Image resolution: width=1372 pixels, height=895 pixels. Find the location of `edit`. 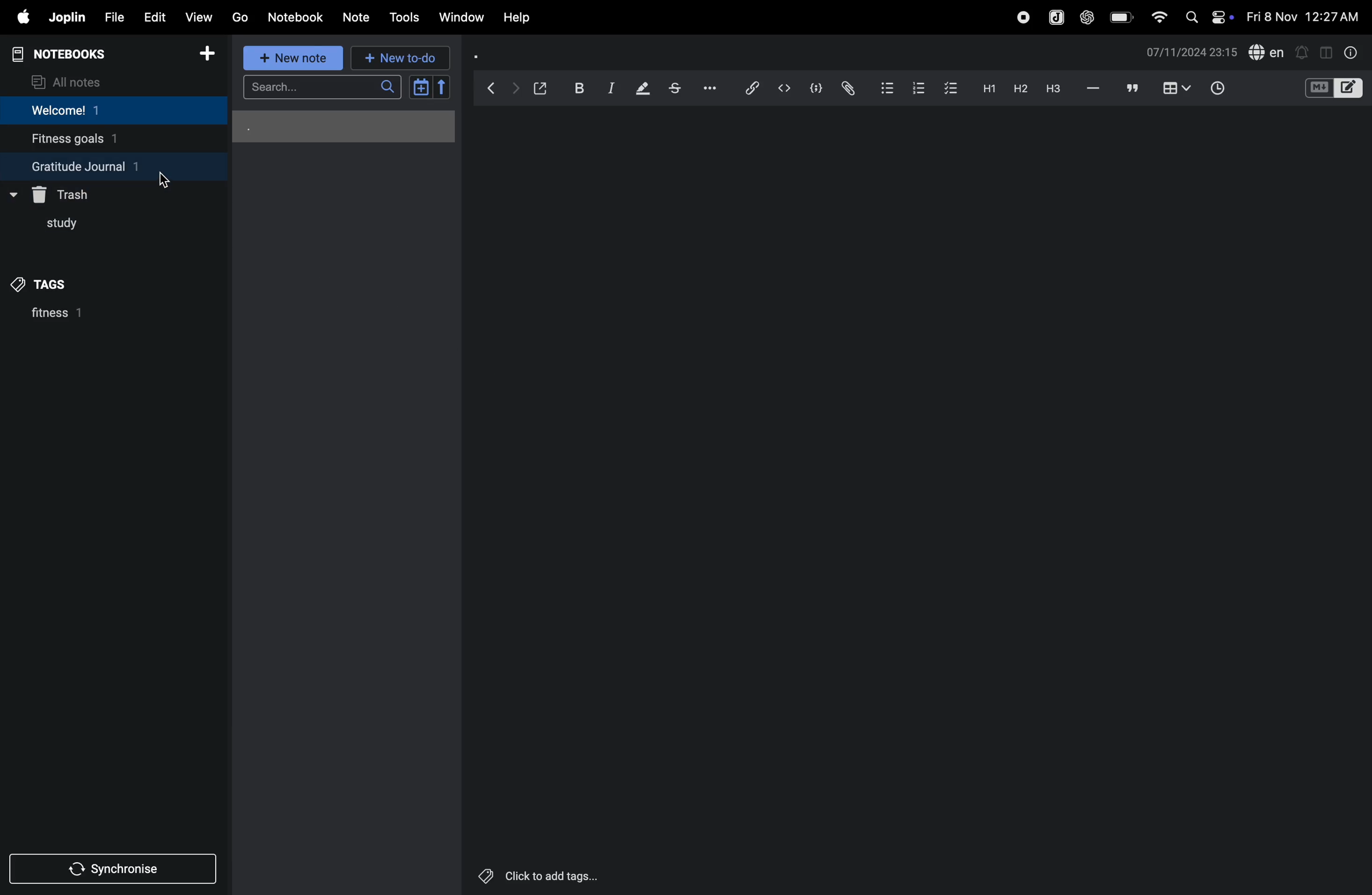

edit is located at coordinates (154, 18).